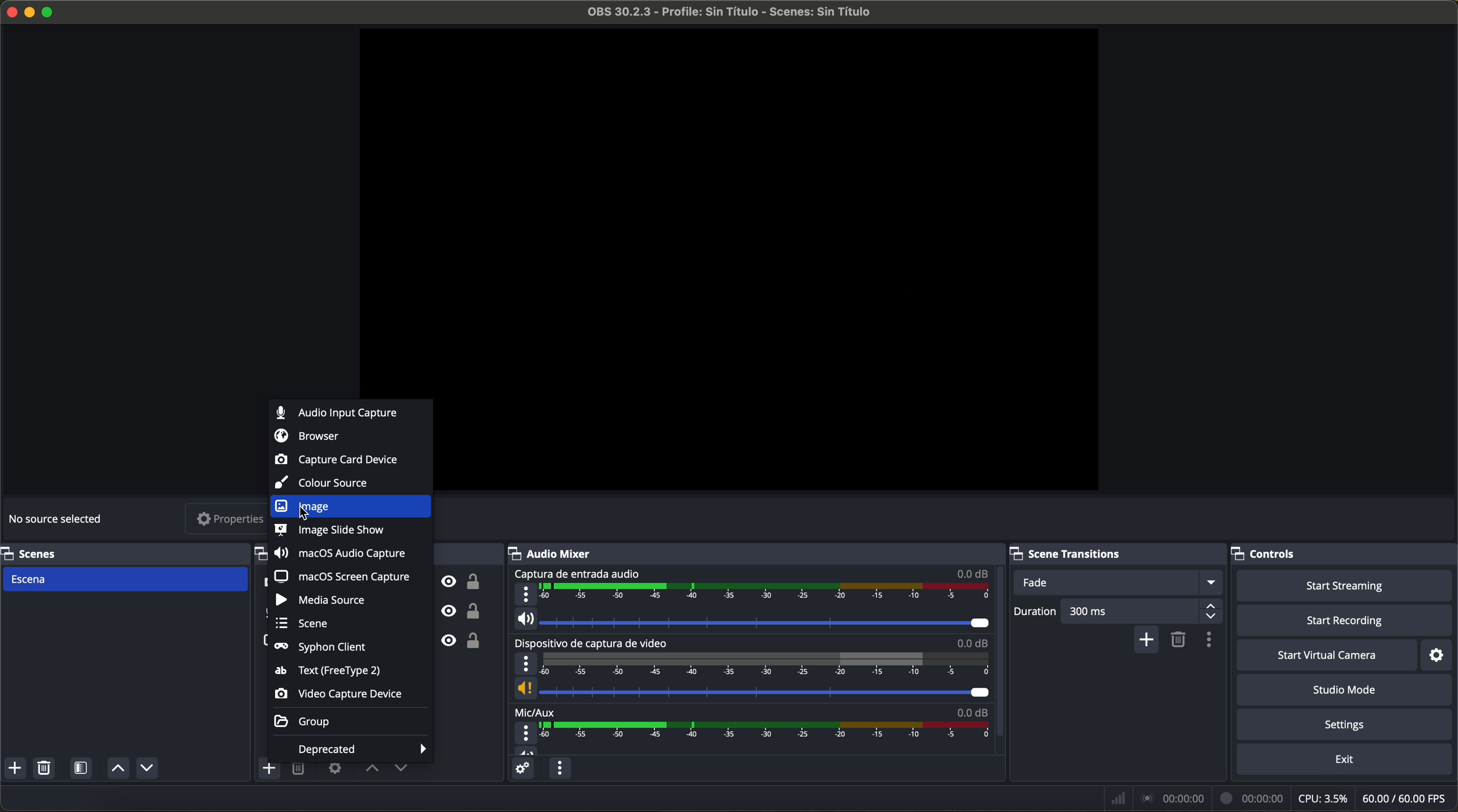 The height and width of the screenshot is (812, 1458). Describe the element at coordinates (769, 731) in the screenshot. I see `timeline` at that location.